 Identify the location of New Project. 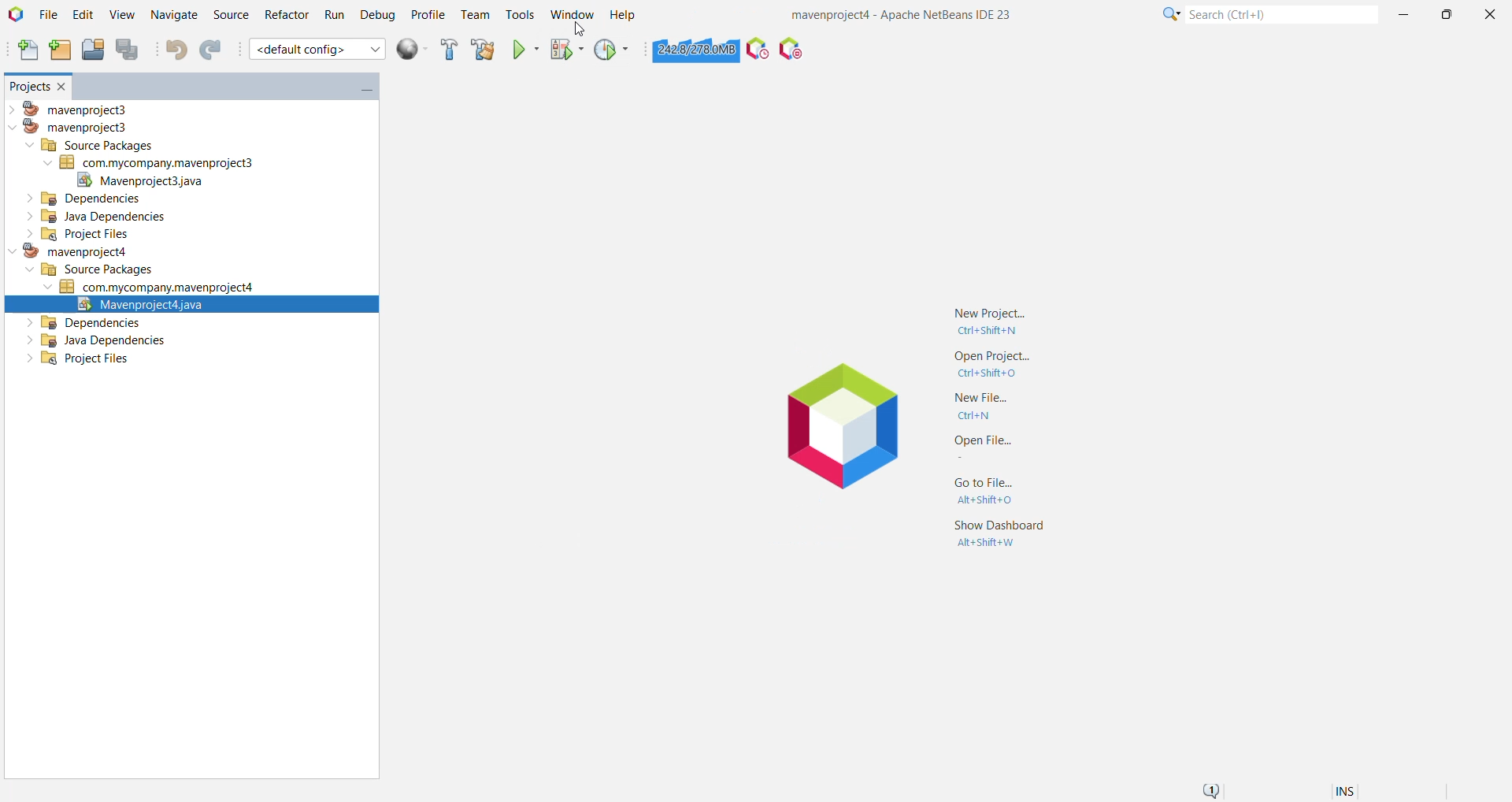
(998, 316).